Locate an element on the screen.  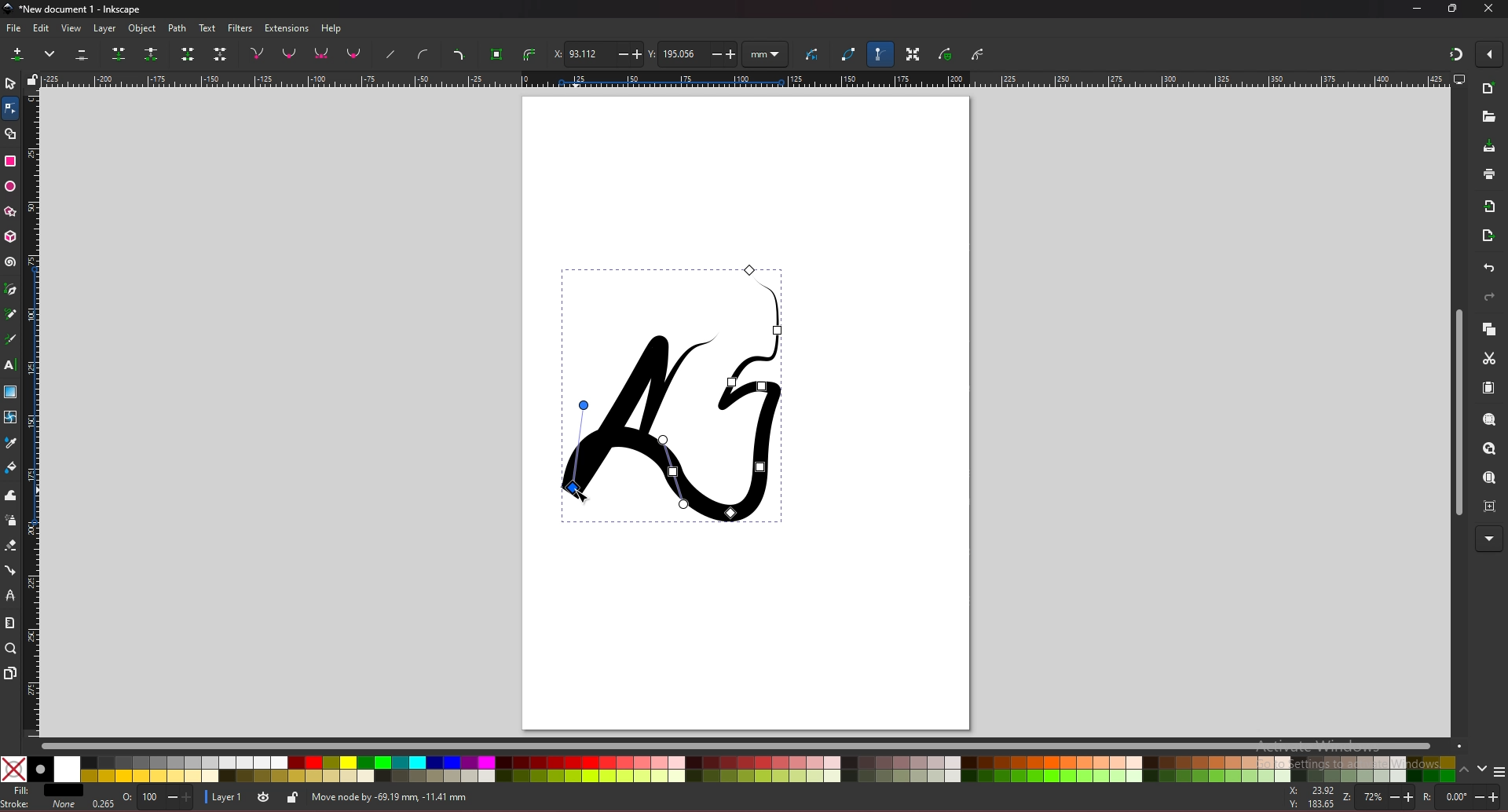
curve is located at coordinates (814, 52).